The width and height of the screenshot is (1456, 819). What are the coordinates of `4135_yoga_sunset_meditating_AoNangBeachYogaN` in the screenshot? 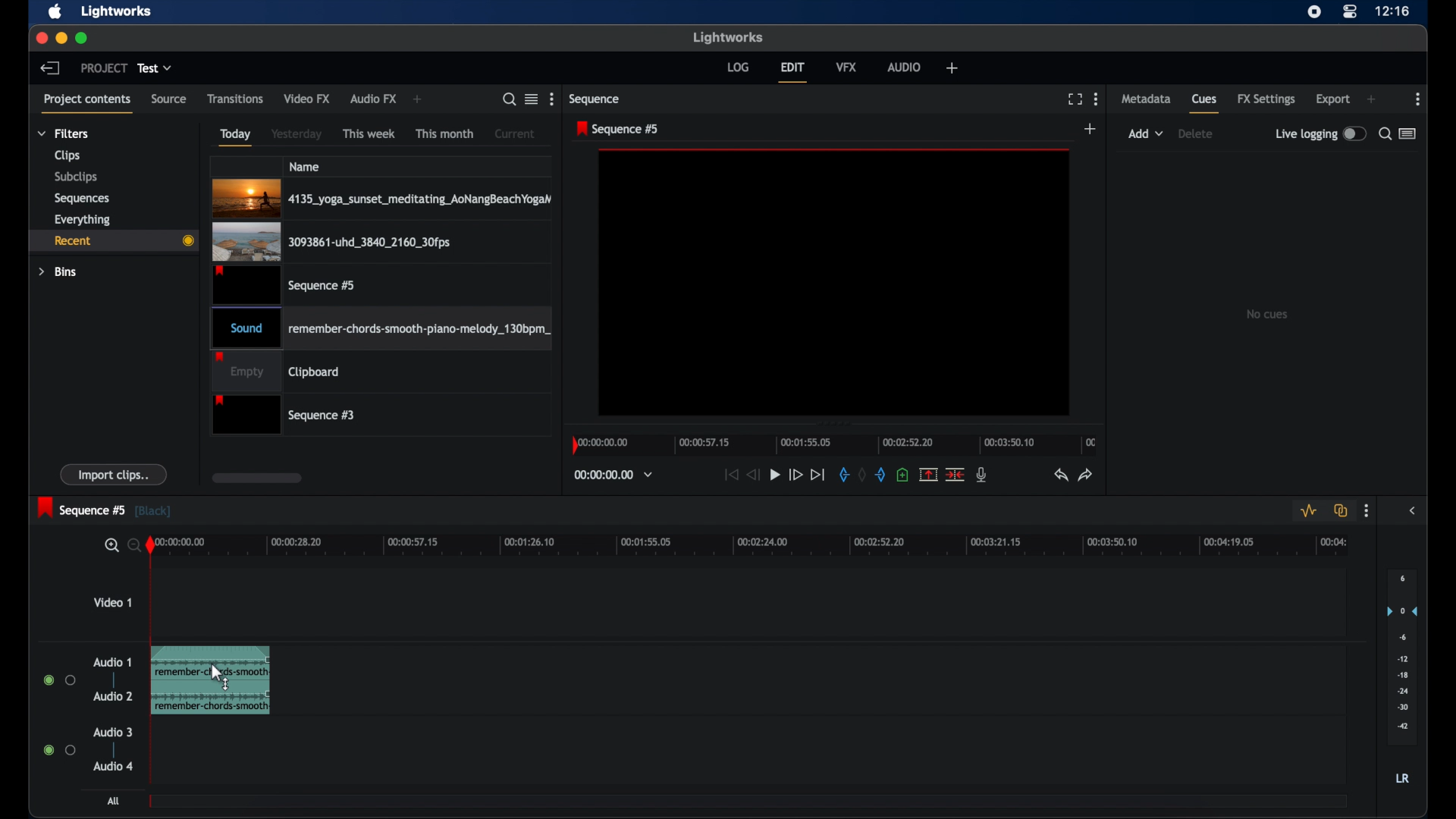 It's located at (383, 197).